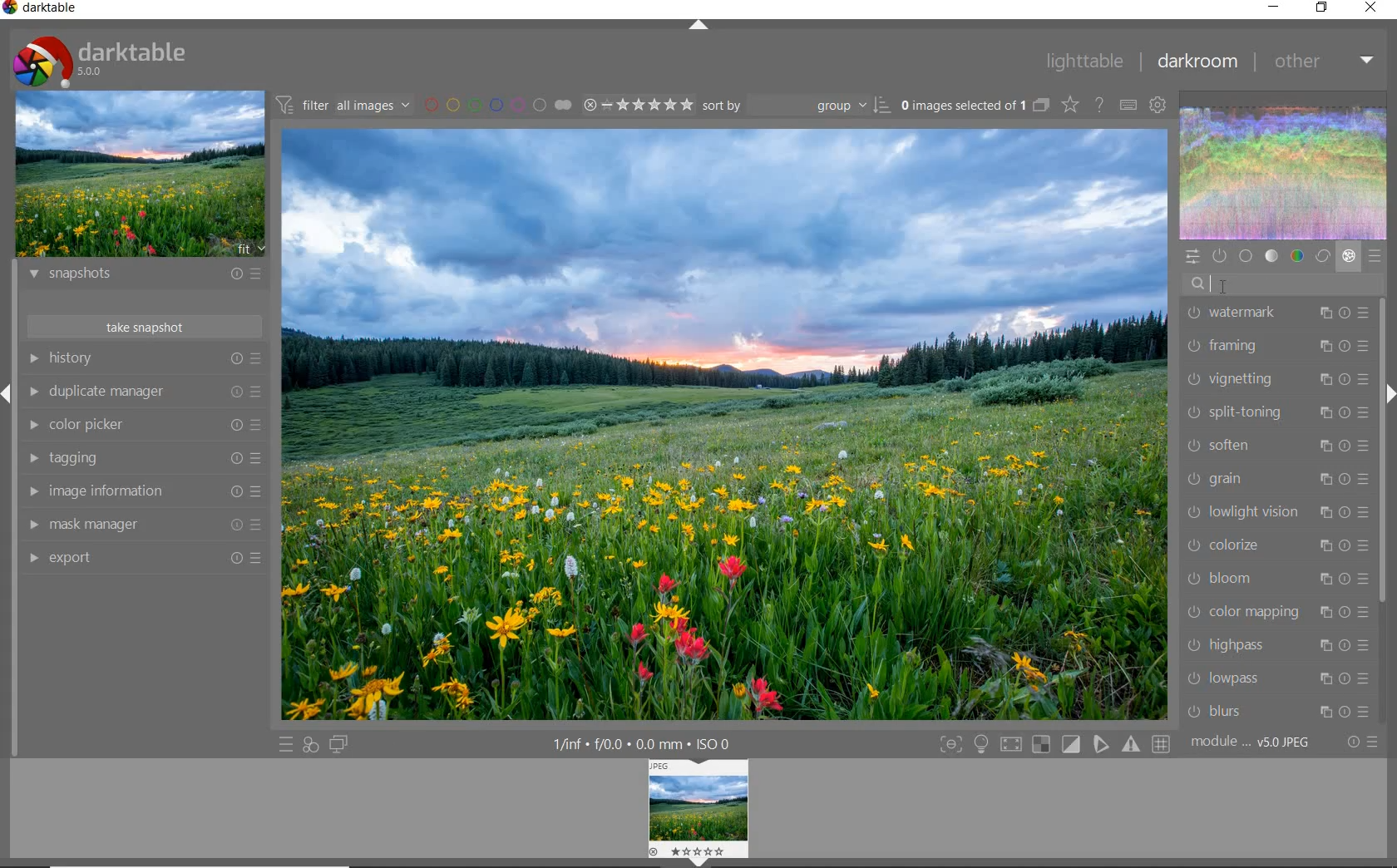 This screenshot has width=1397, height=868. I want to click on lowpass, so click(1273, 678).